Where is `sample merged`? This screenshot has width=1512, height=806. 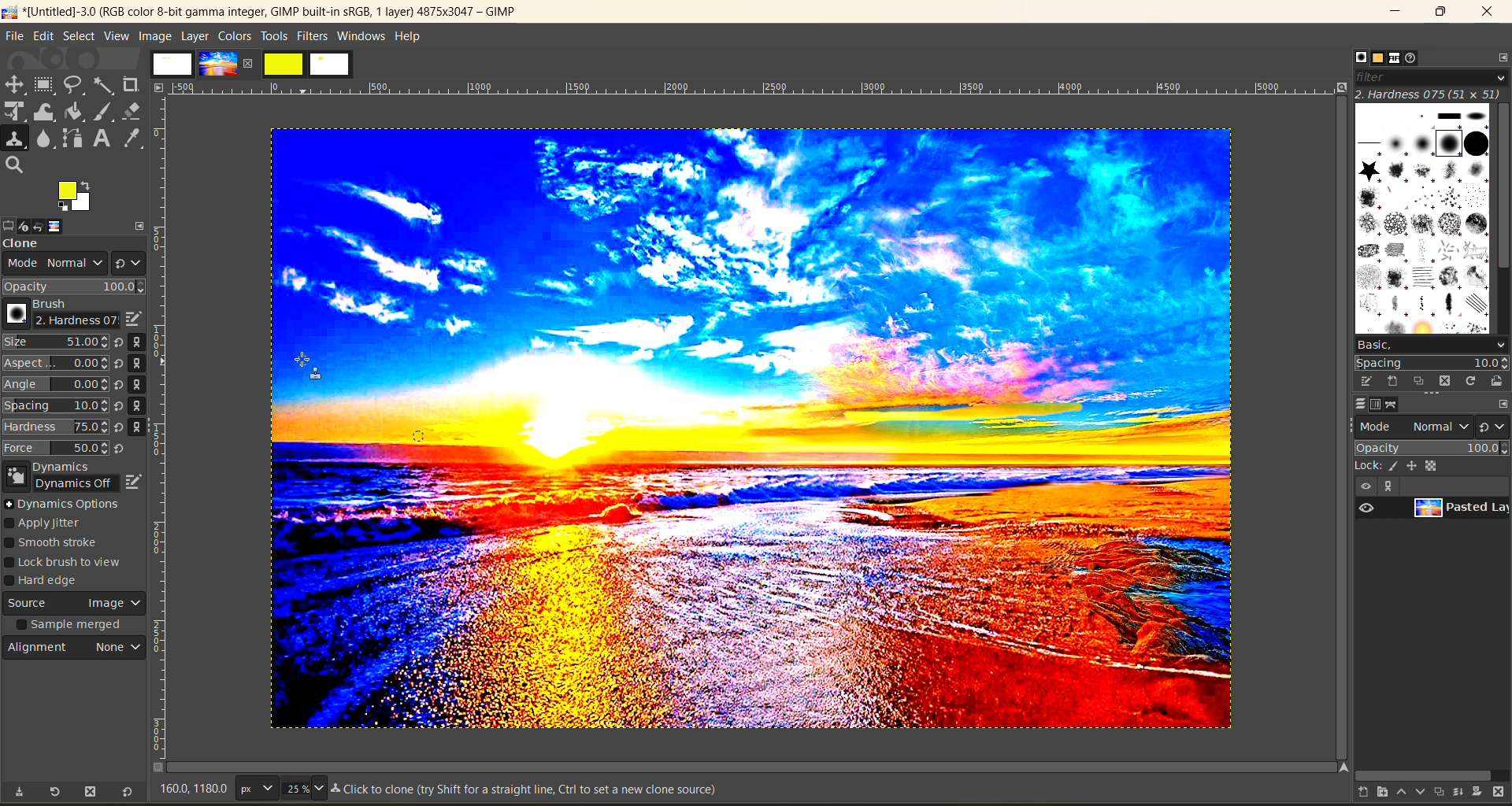
sample merged is located at coordinates (72, 627).